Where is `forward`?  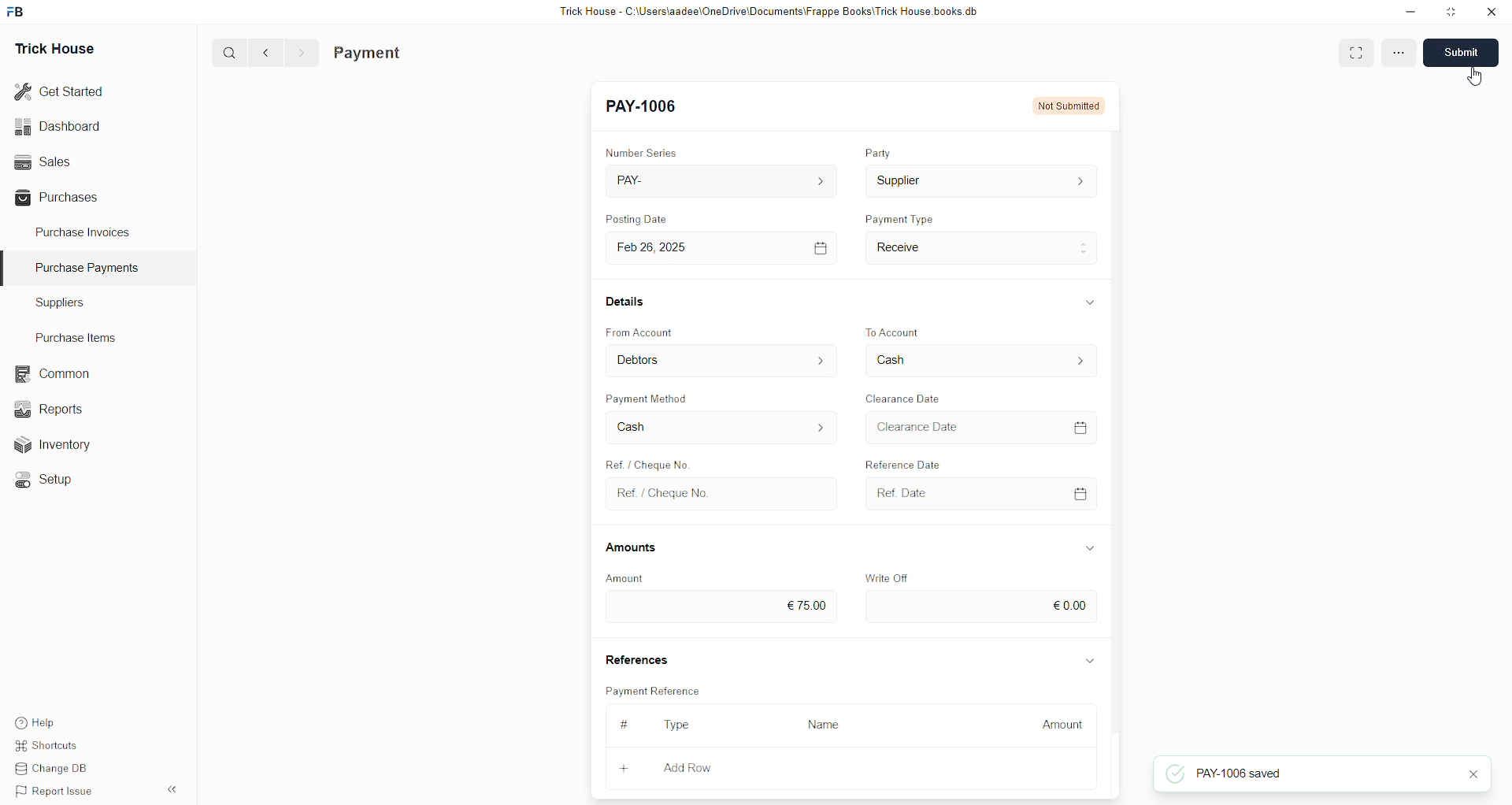
forward is located at coordinates (301, 53).